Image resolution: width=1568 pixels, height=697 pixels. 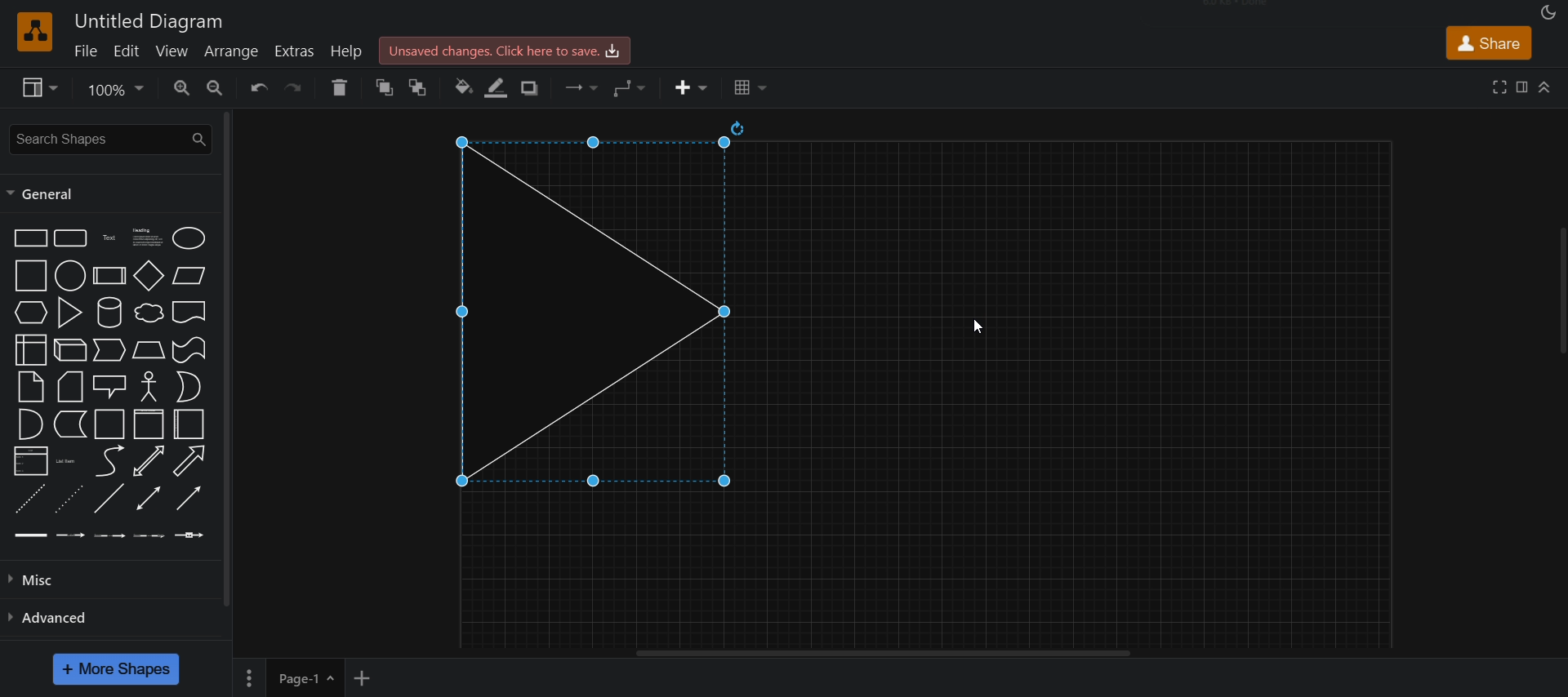 What do you see at coordinates (689, 89) in the screenshot?
I see `insert` at bounding box center [689, 89].